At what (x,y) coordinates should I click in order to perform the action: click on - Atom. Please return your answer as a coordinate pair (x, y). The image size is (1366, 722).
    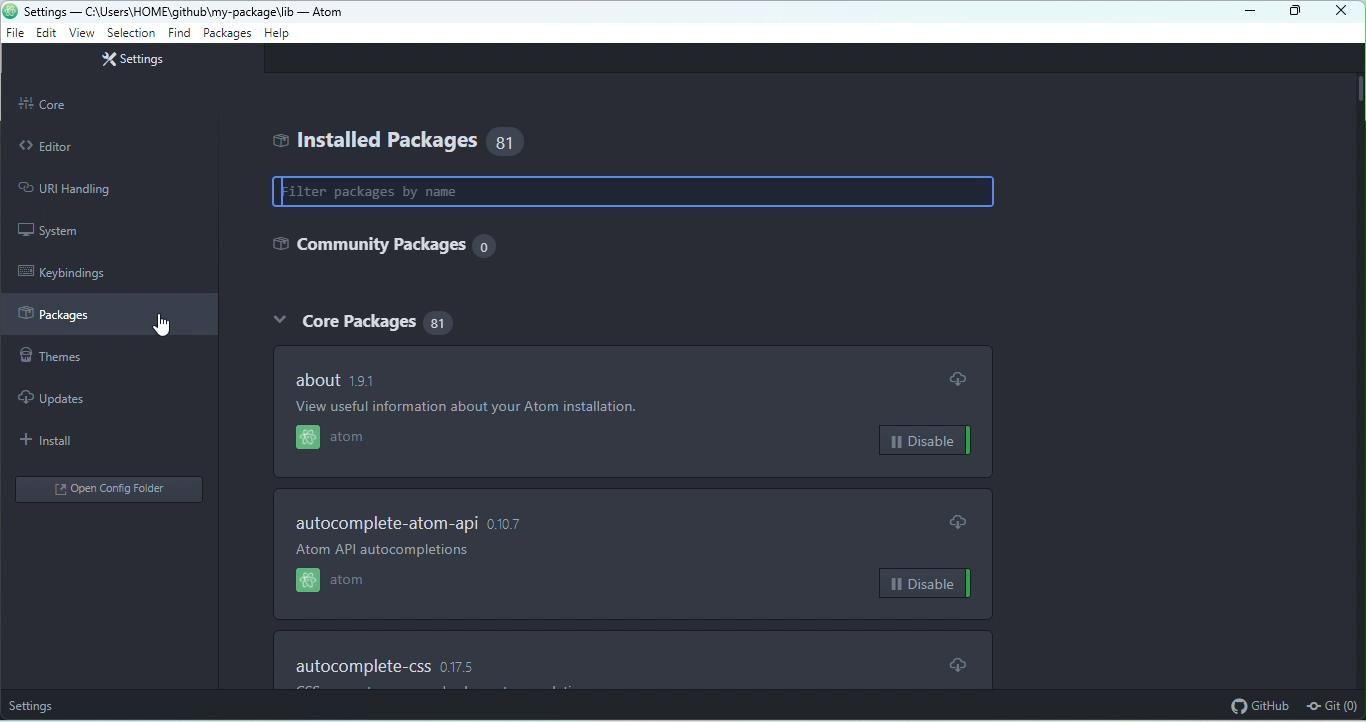
    Looking at the image, I should click on (319, 12).